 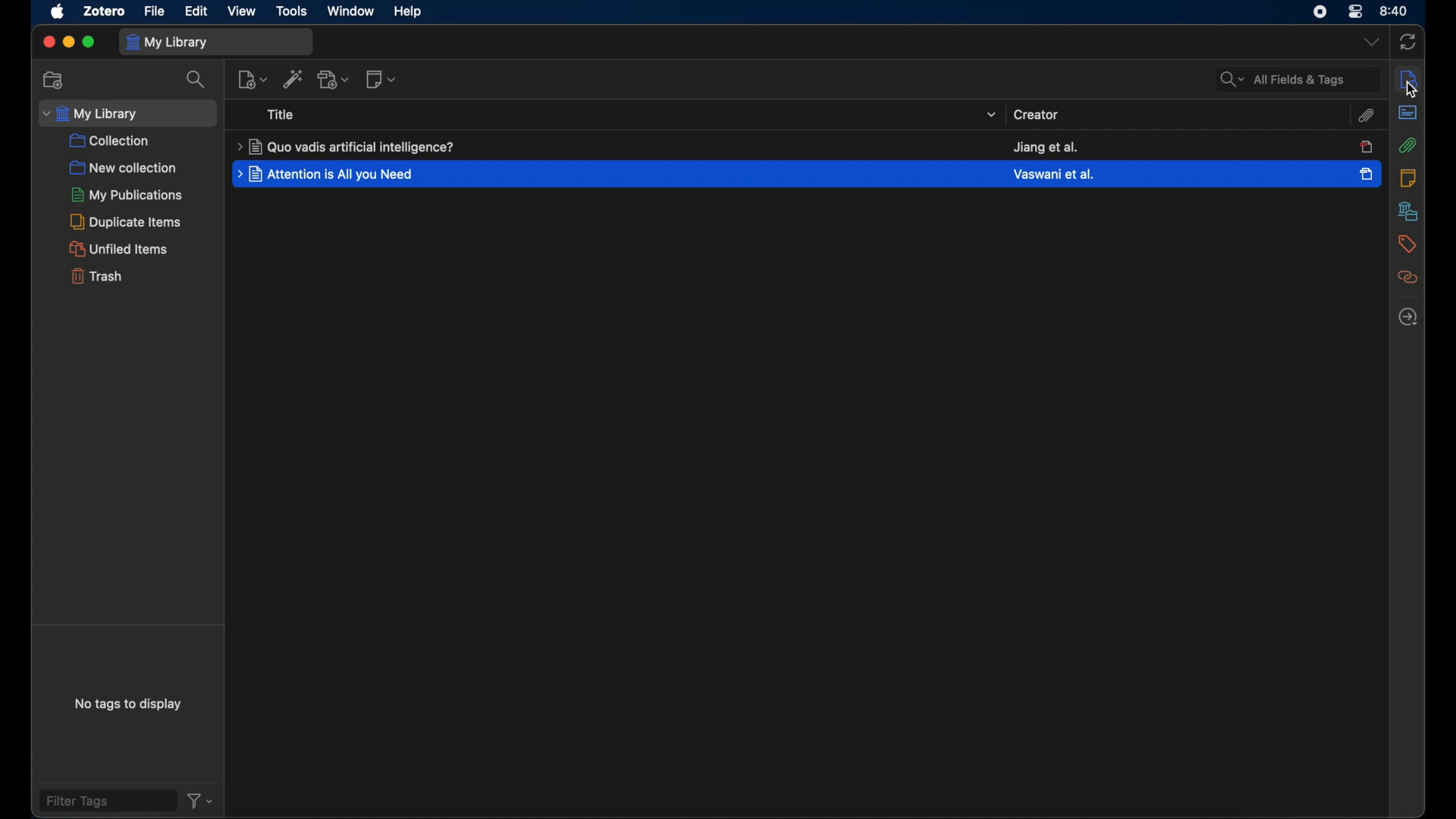 What do you see at coordinates (1052, 176) in the screenshot?
I see `creator creator name` at bounding box center [1052, 176].